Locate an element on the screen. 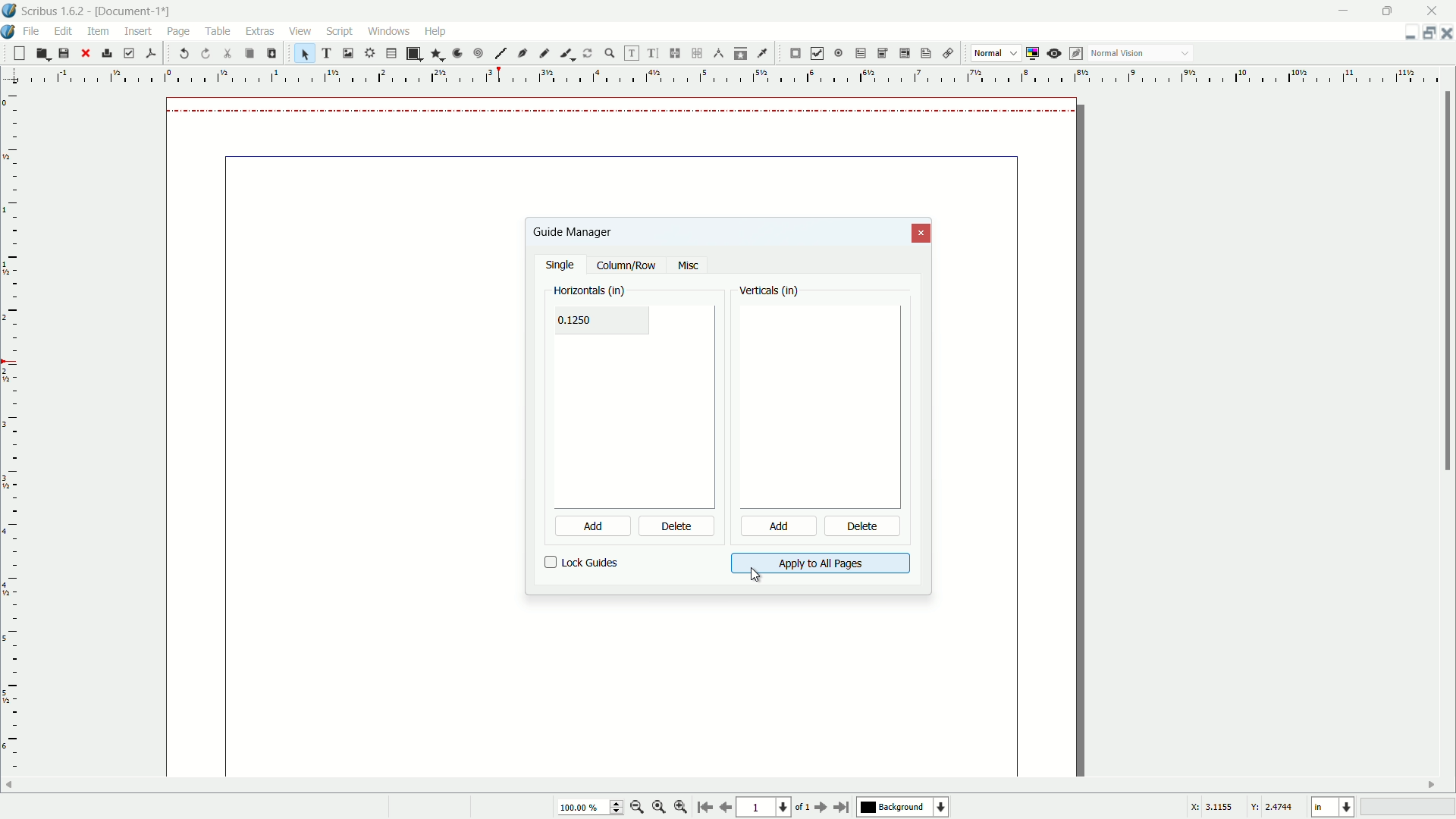  minimize is located at coordinates (1345, 10).